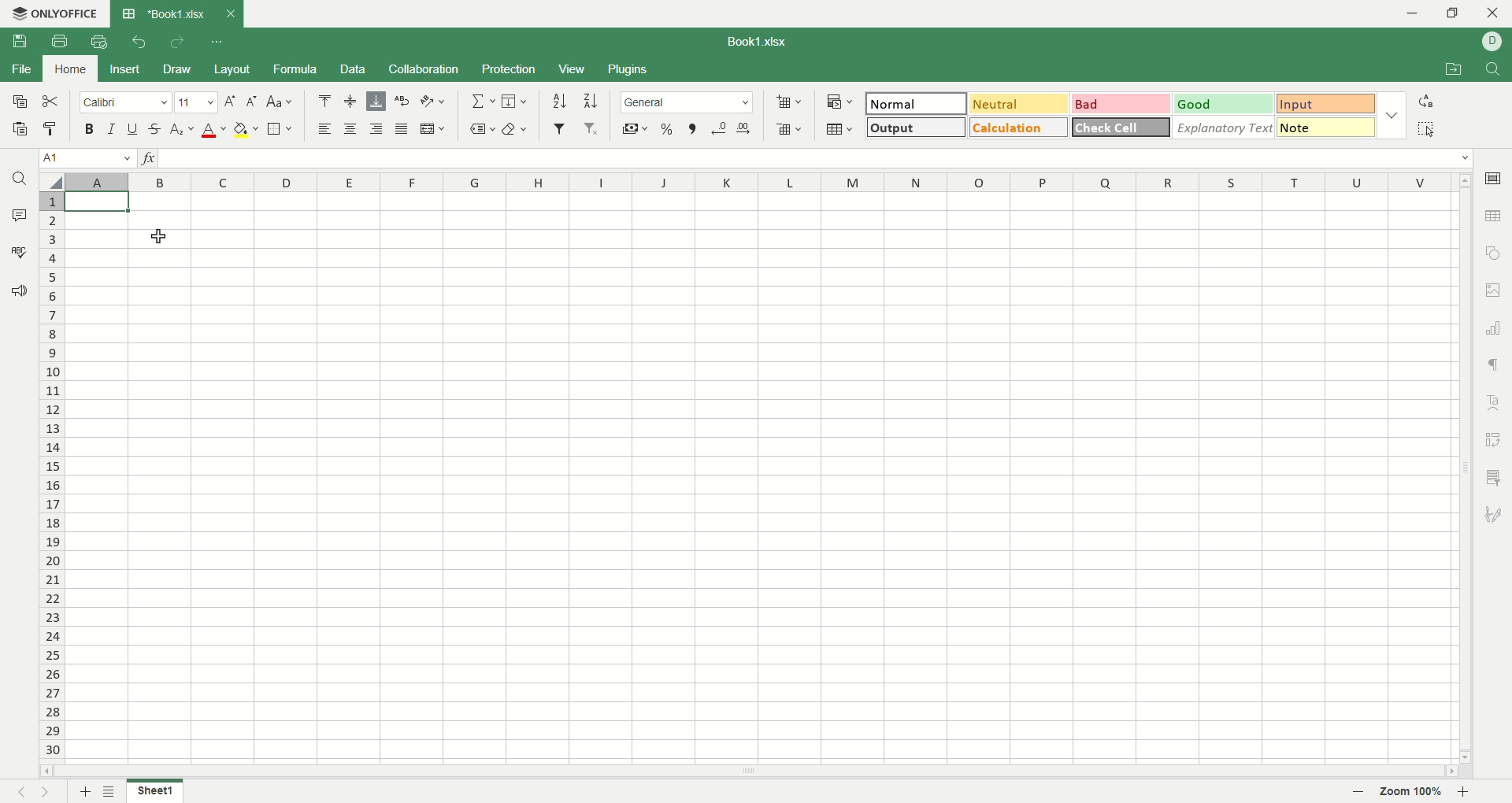  I want to click on closes, so click(228, 13).